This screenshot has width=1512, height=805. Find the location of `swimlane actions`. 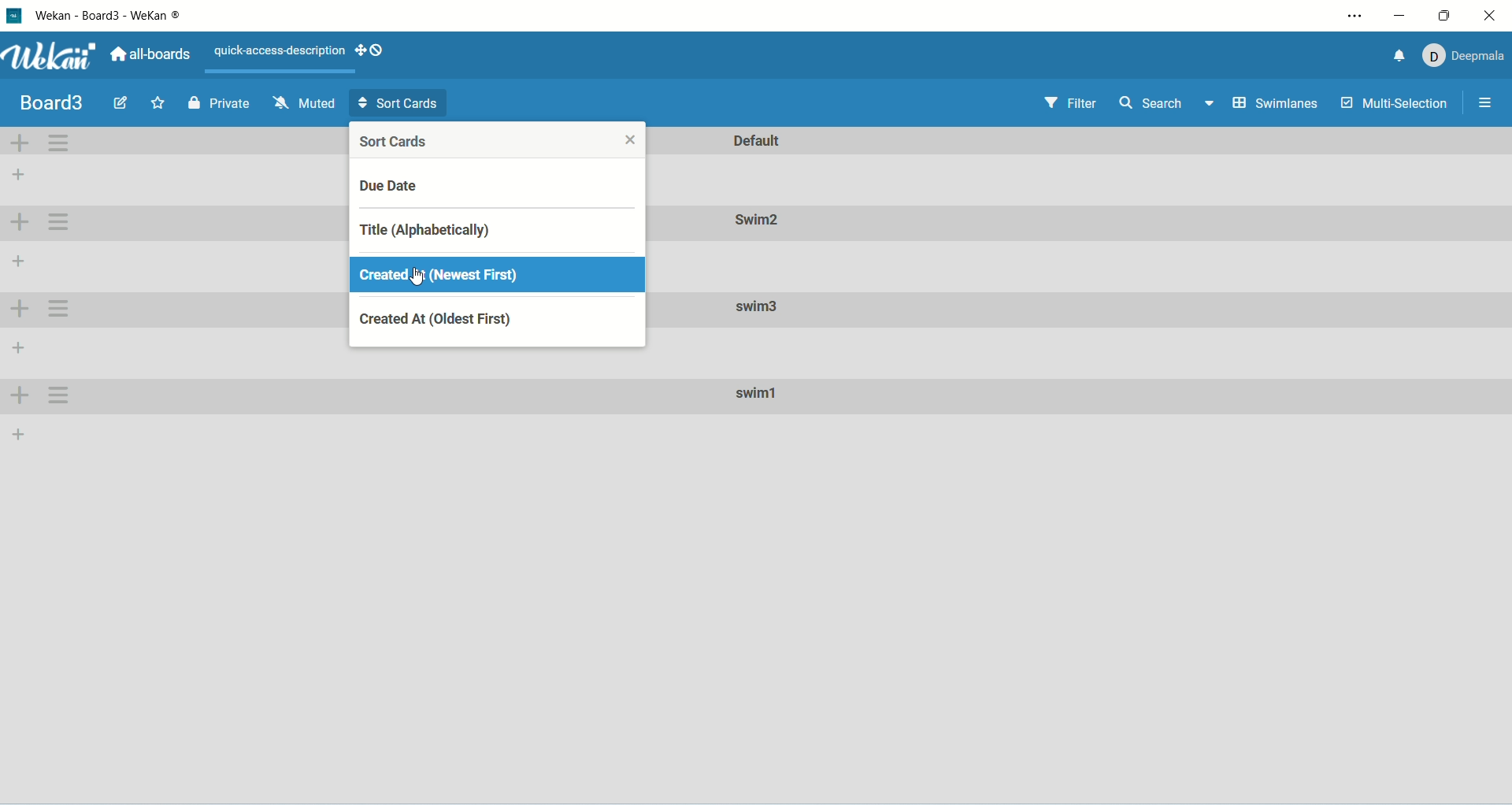

swimlane actions is located at coordinates (60, 142).